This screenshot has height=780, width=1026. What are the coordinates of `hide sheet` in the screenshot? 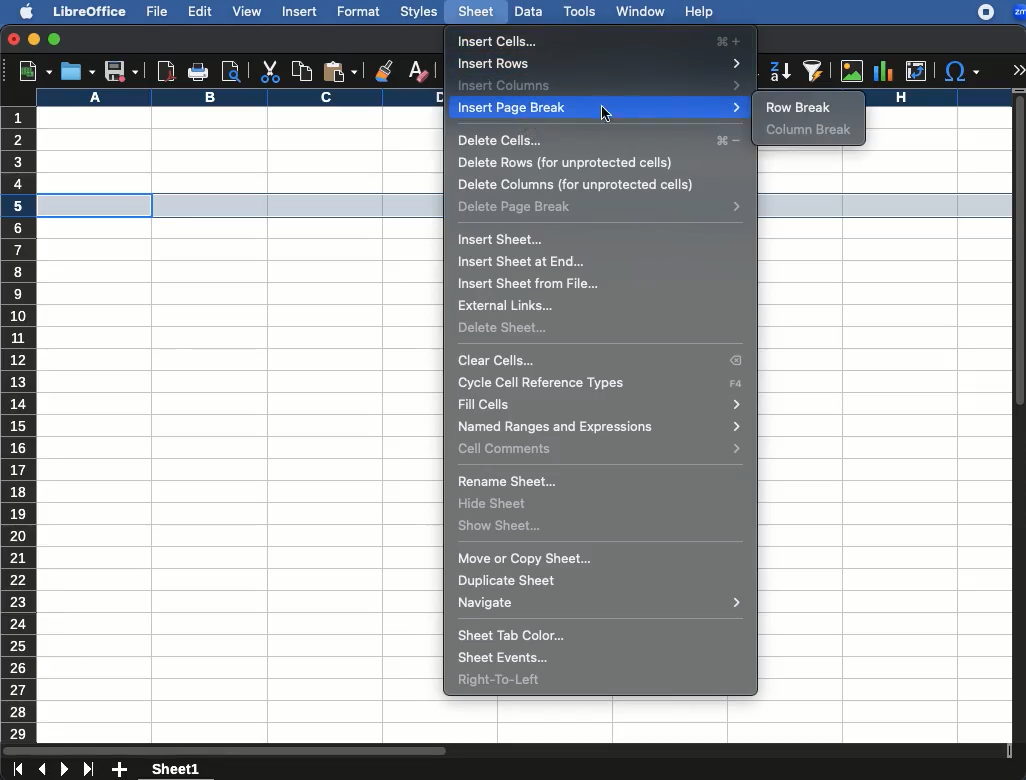 It's located at (493, 504).